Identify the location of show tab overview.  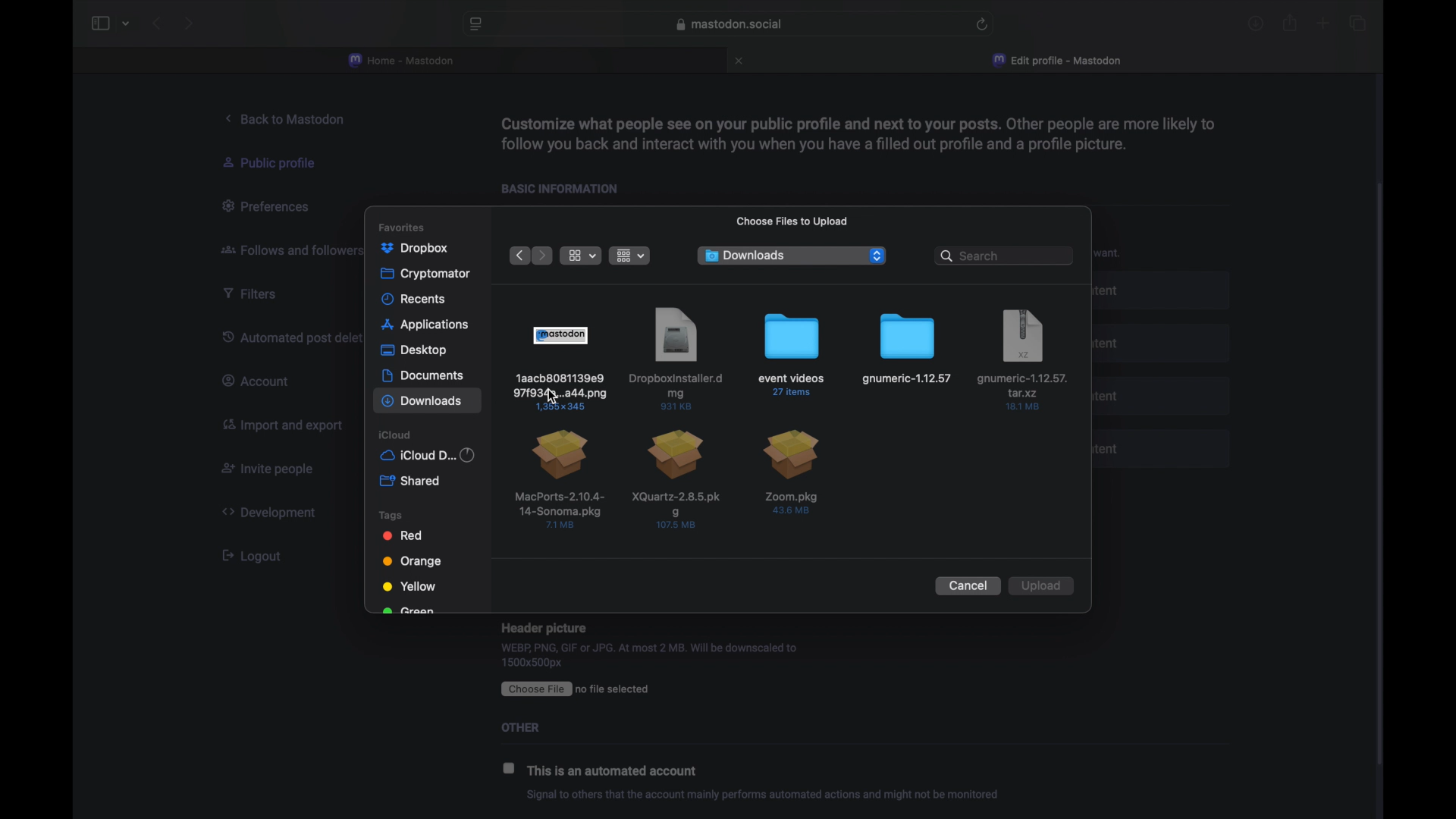
(1357, 23).